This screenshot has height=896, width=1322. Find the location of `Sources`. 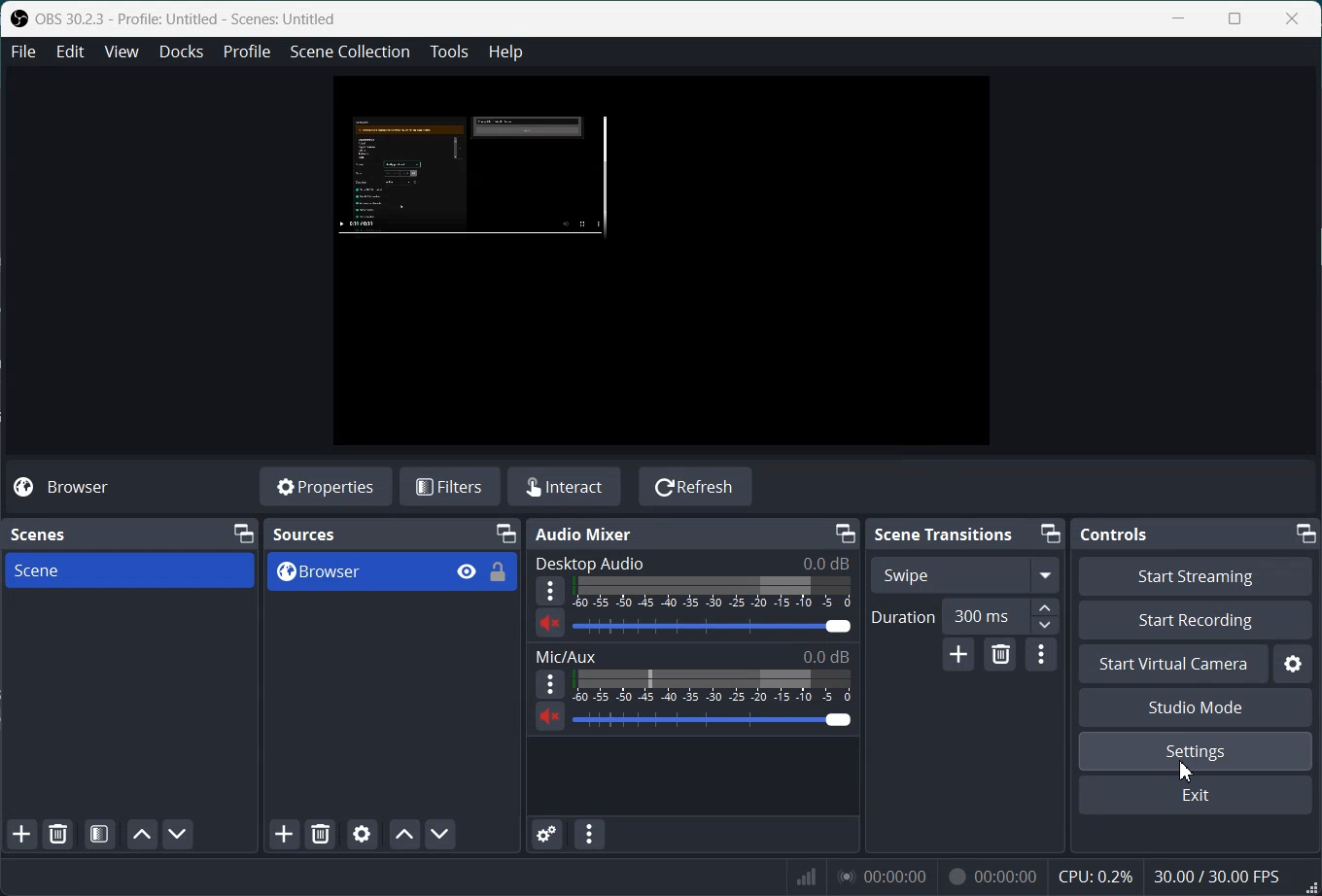

Sources is located at coordinates (306, 534).